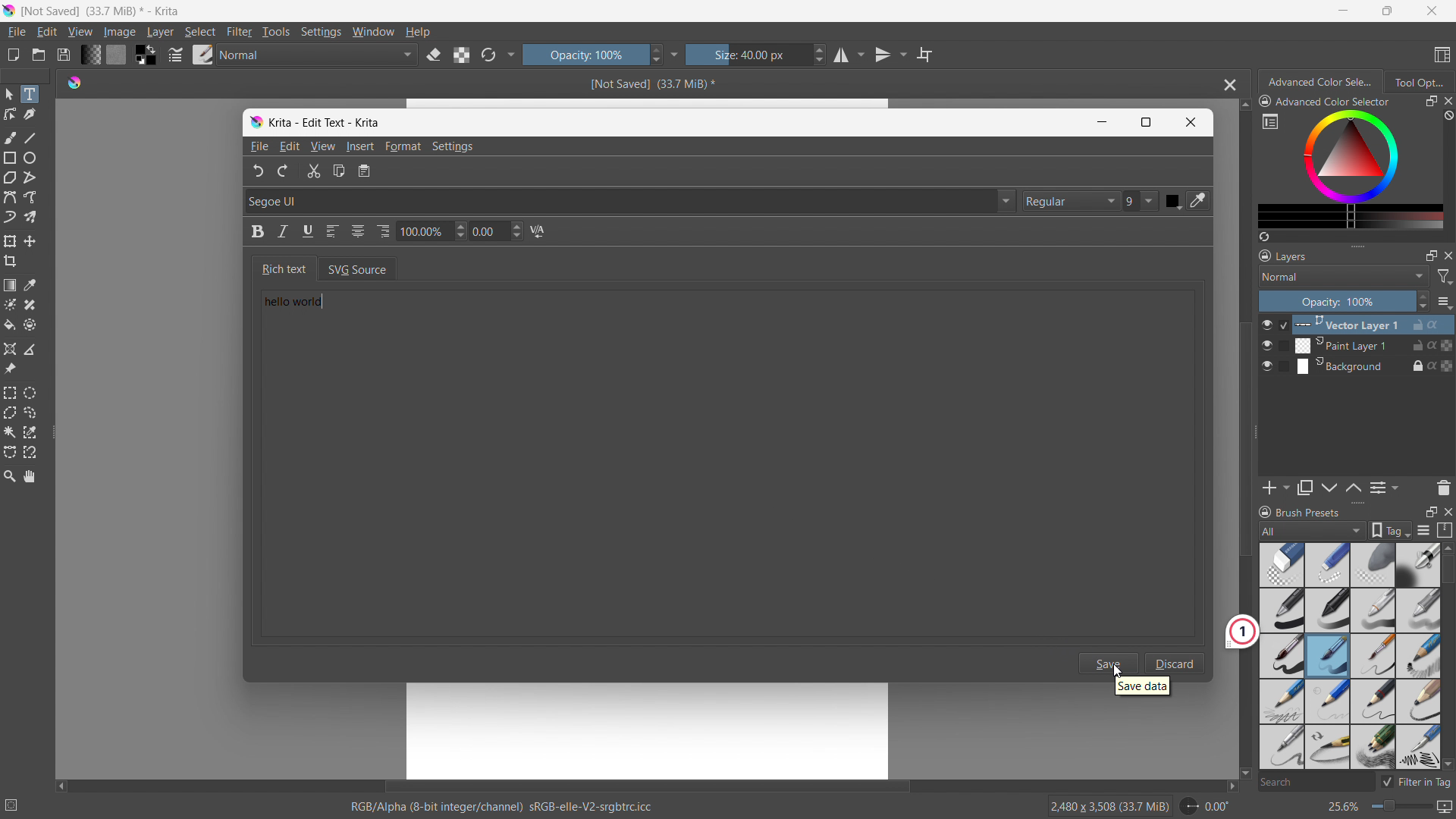 The height and width of the screenshot is (819, 1456). What do you see at coordinates (405, 147) in the screenshot?
I see `Format` at bounding box center [405, 147].